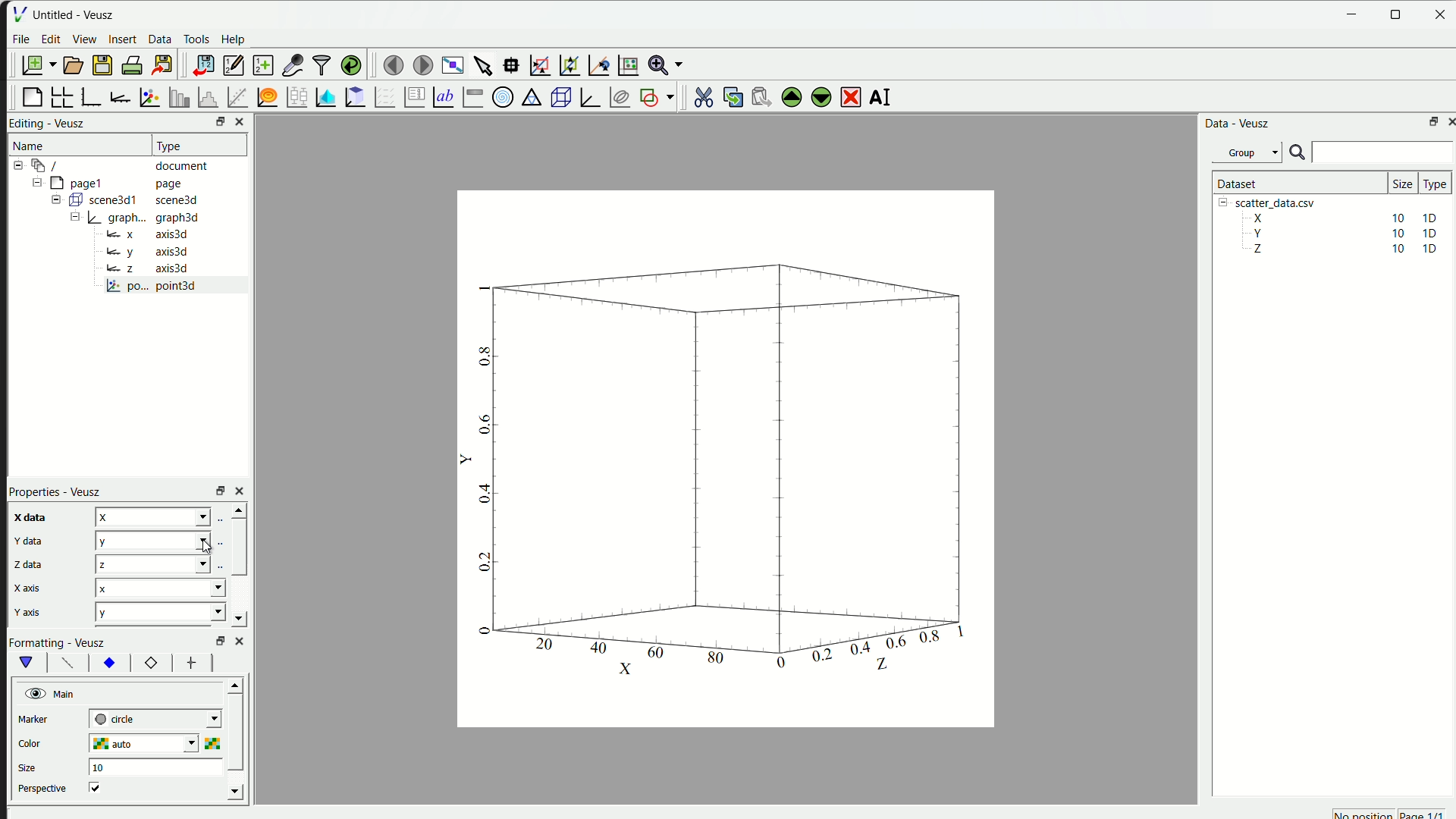  Describe the element at coordinates (39, 719) in the screenshot. I see `marker` at that location.